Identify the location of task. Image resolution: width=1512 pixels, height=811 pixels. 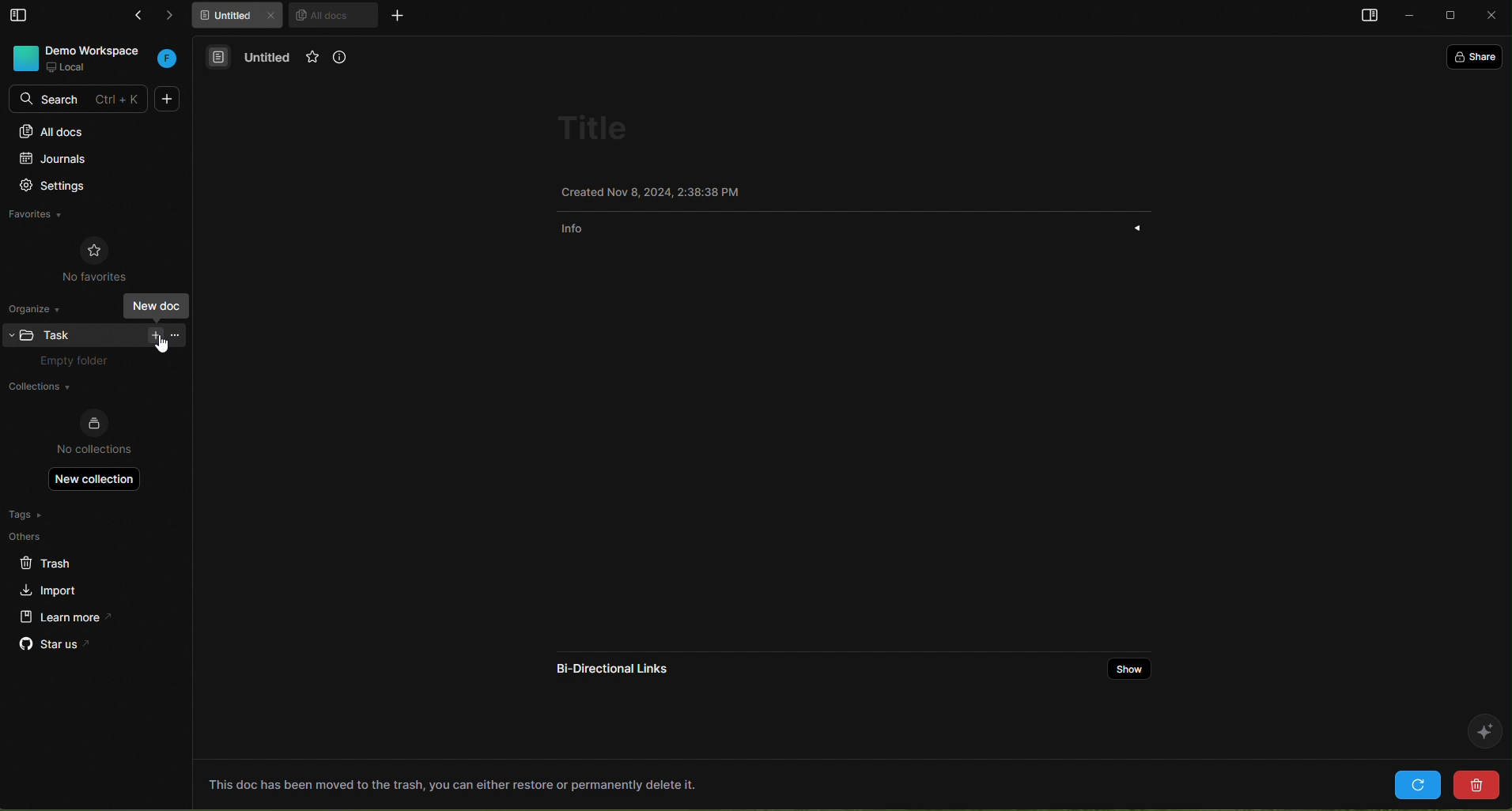
(64, 333).